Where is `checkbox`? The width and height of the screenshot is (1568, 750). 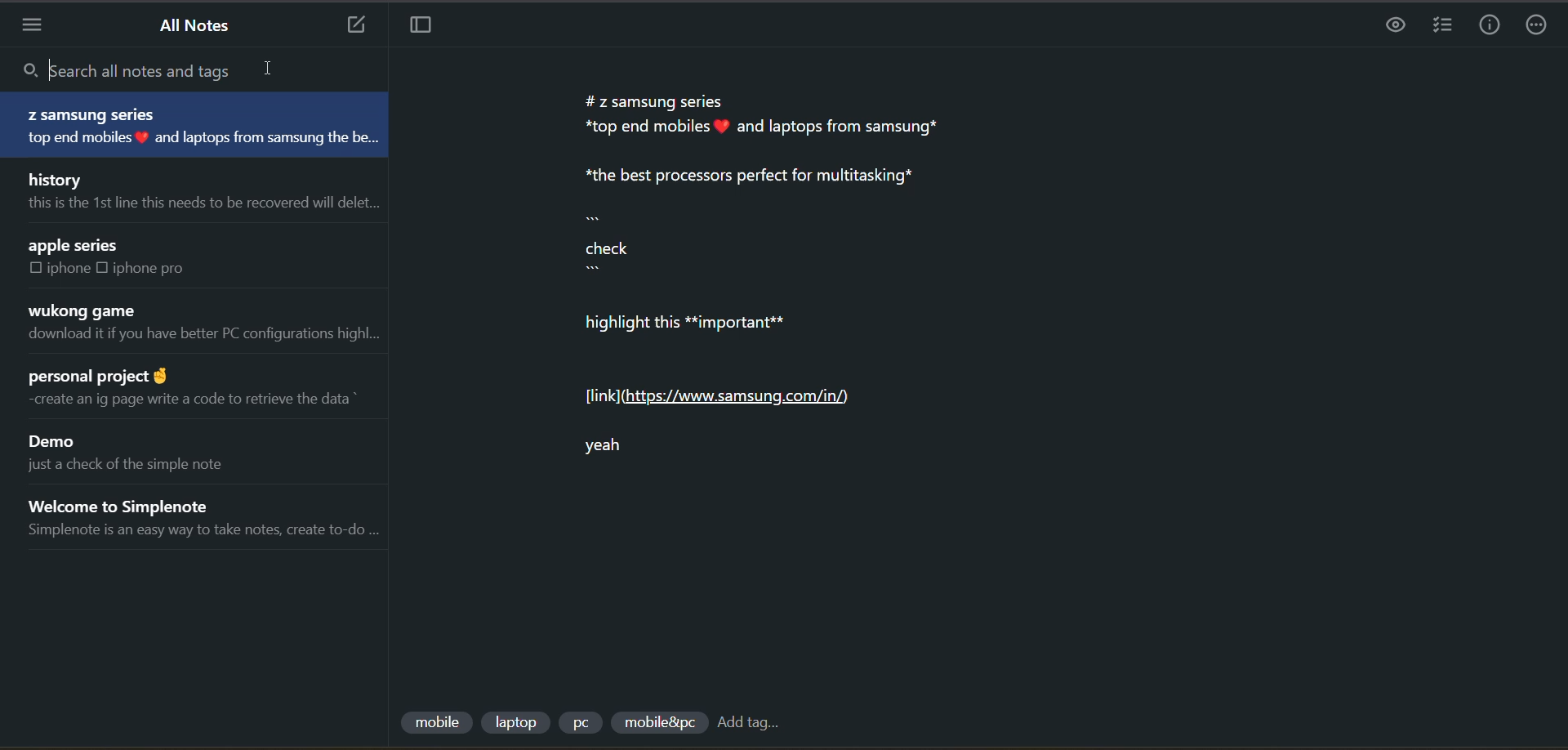 checkbox is located at coordinates (33, 268).